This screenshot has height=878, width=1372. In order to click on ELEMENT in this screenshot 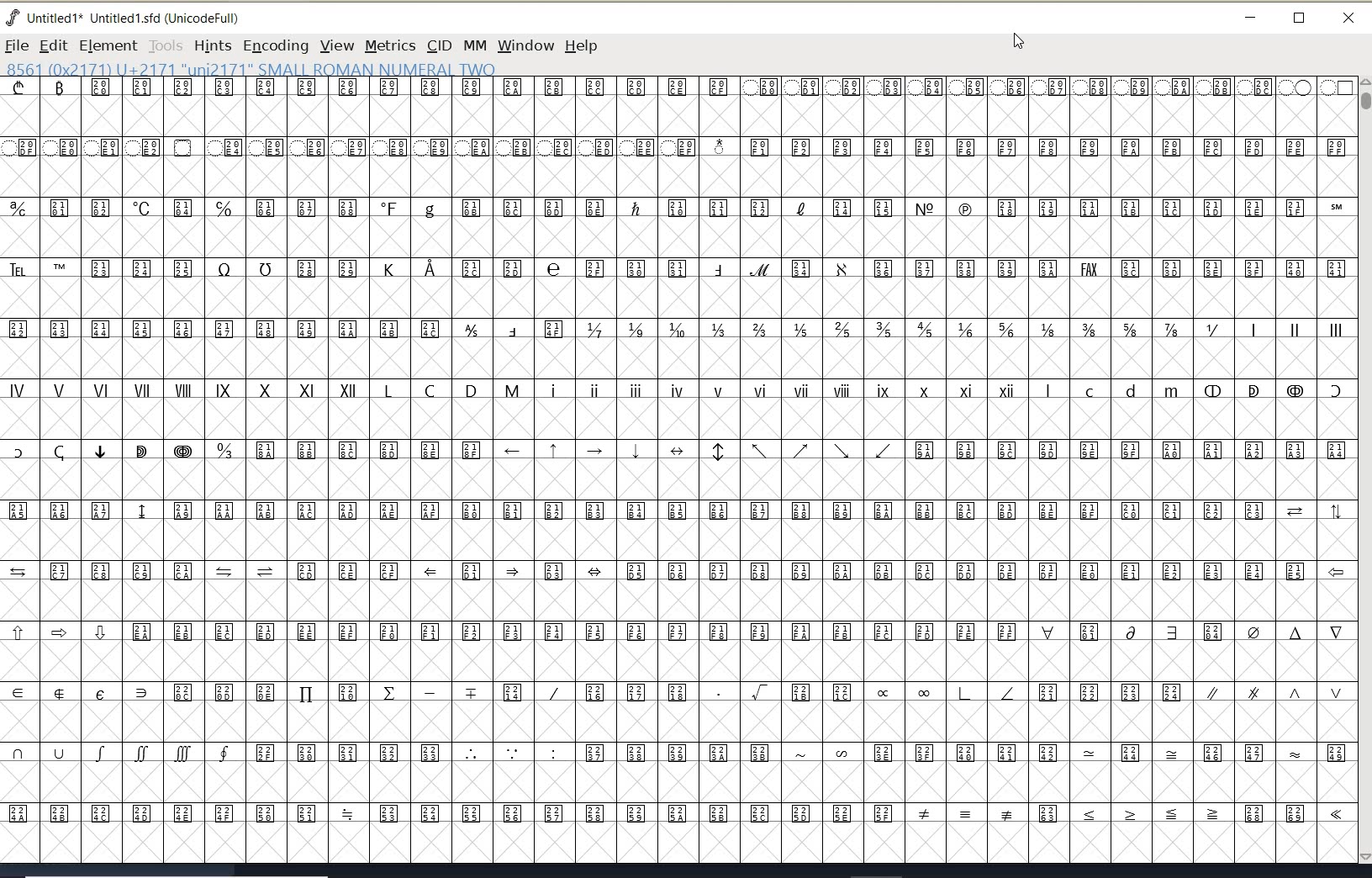, I will do `click(108, 45)`.